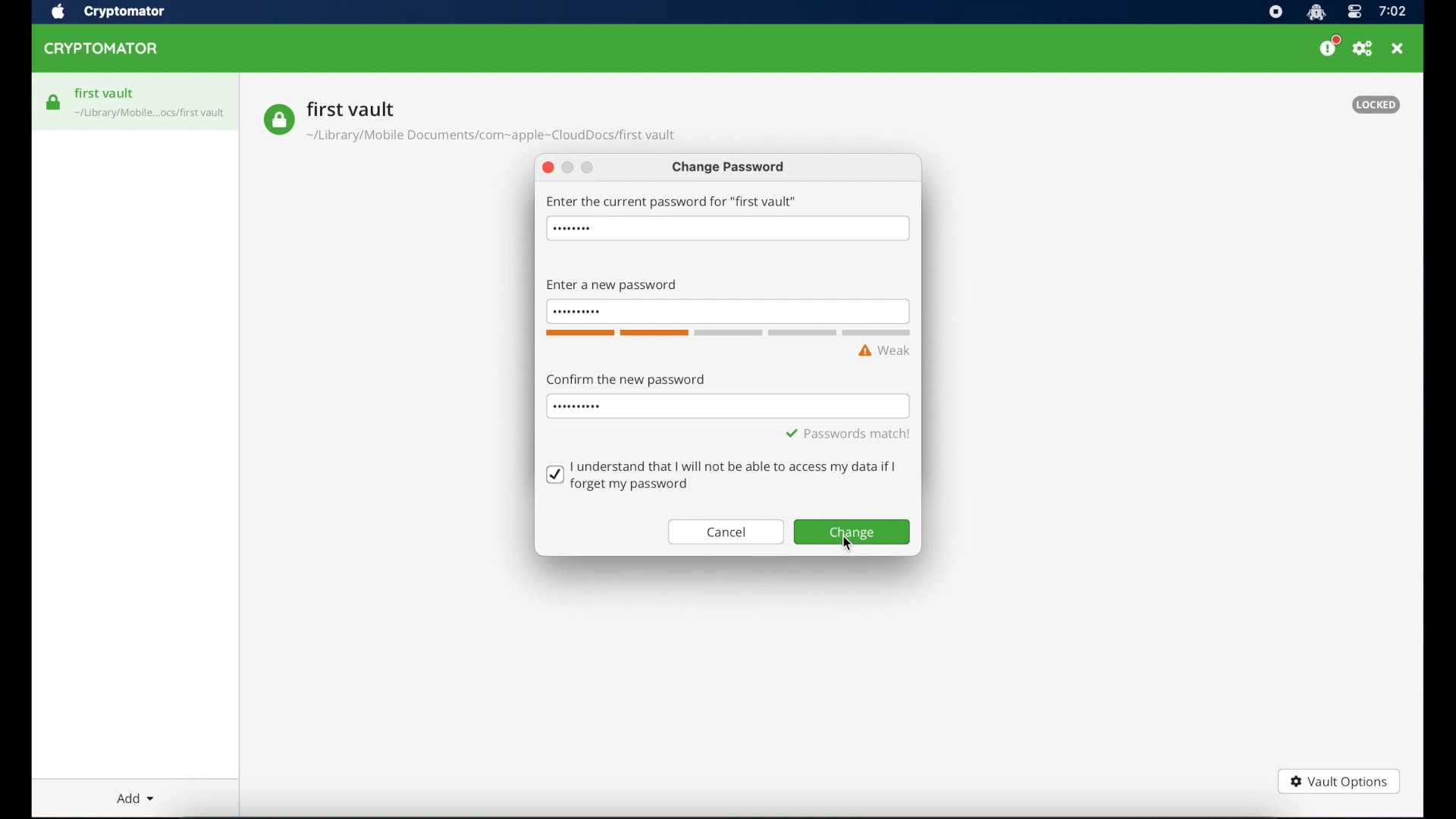 This screenshot has height=819, width=1456. Describe the element at coordinates (1316, 13) in the screenshot. I see `cryptomator icon` at that location.